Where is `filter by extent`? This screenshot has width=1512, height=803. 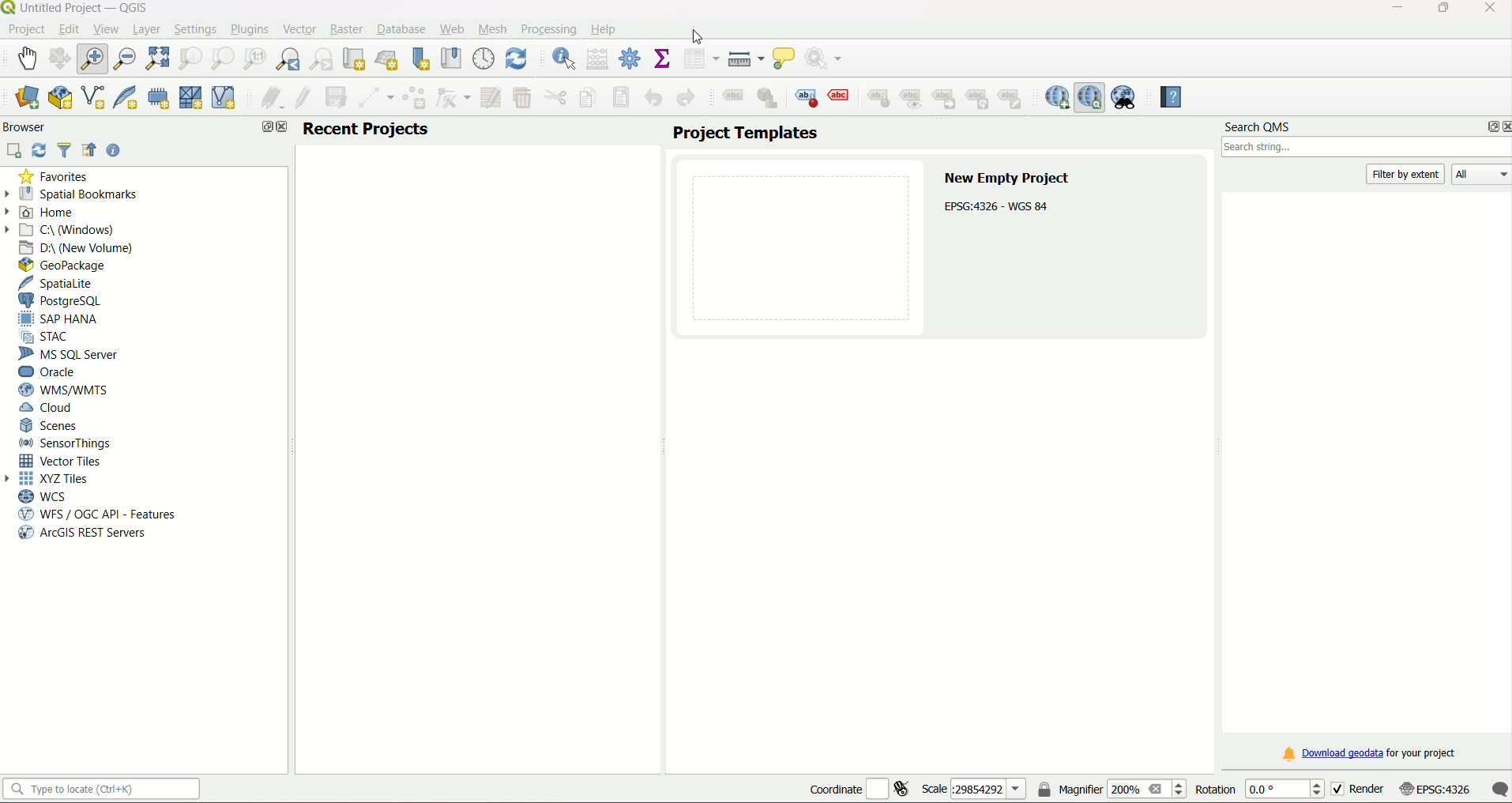 filter by extent is located at coordinates (1407, 174).